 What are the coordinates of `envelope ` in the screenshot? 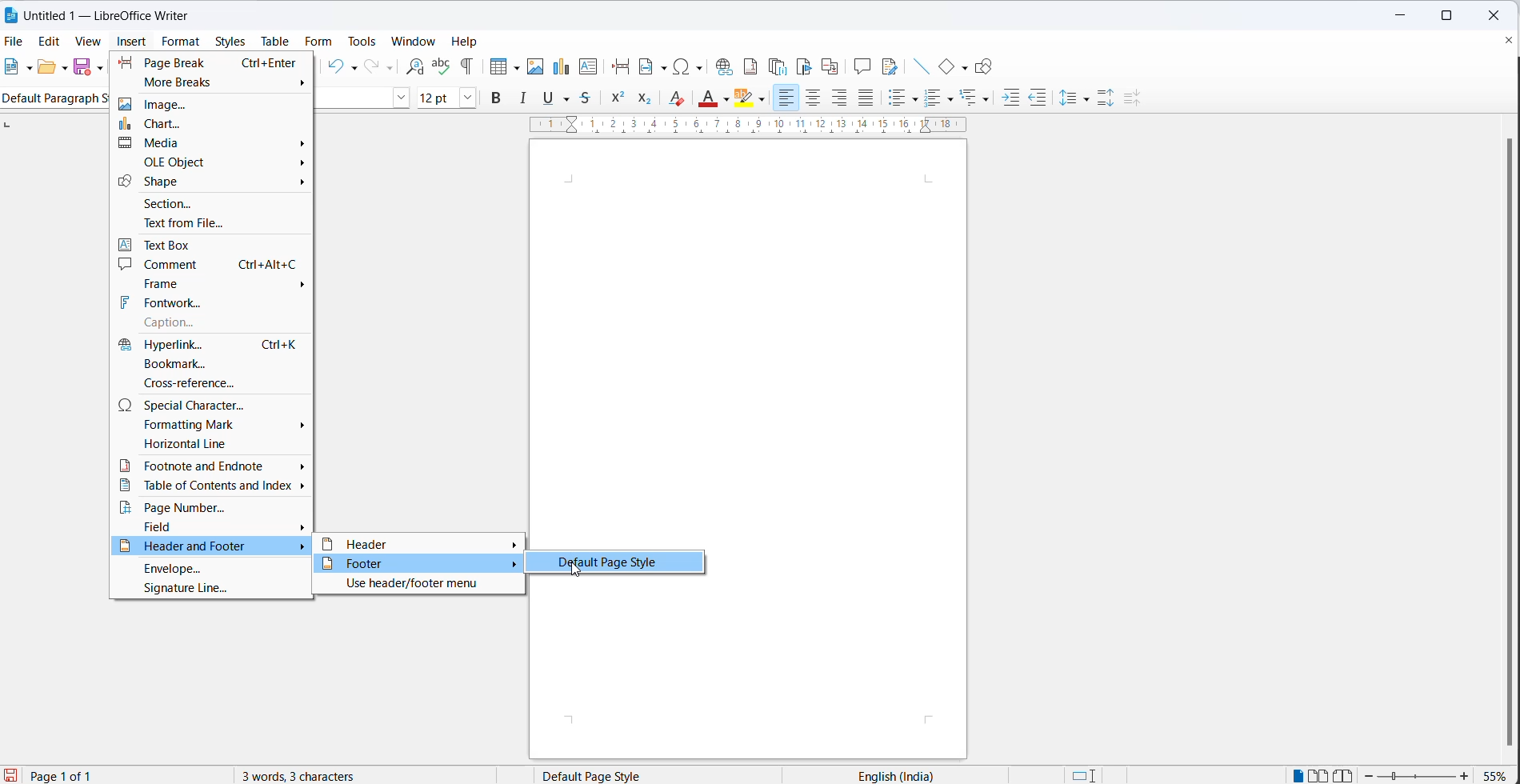 It's located at (211, 568).